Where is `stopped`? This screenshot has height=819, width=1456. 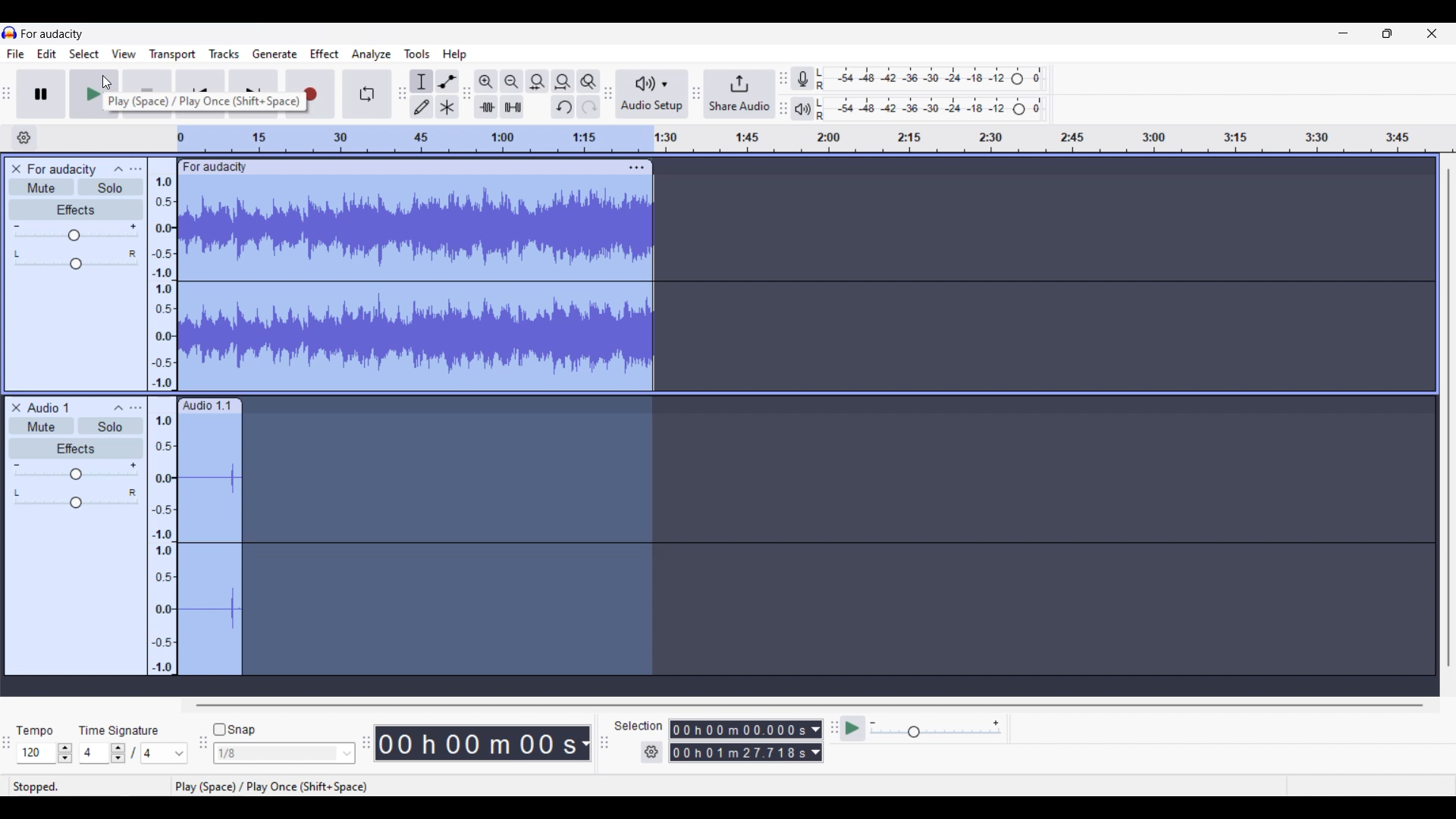
stopped is located at coordinates (57, 786).